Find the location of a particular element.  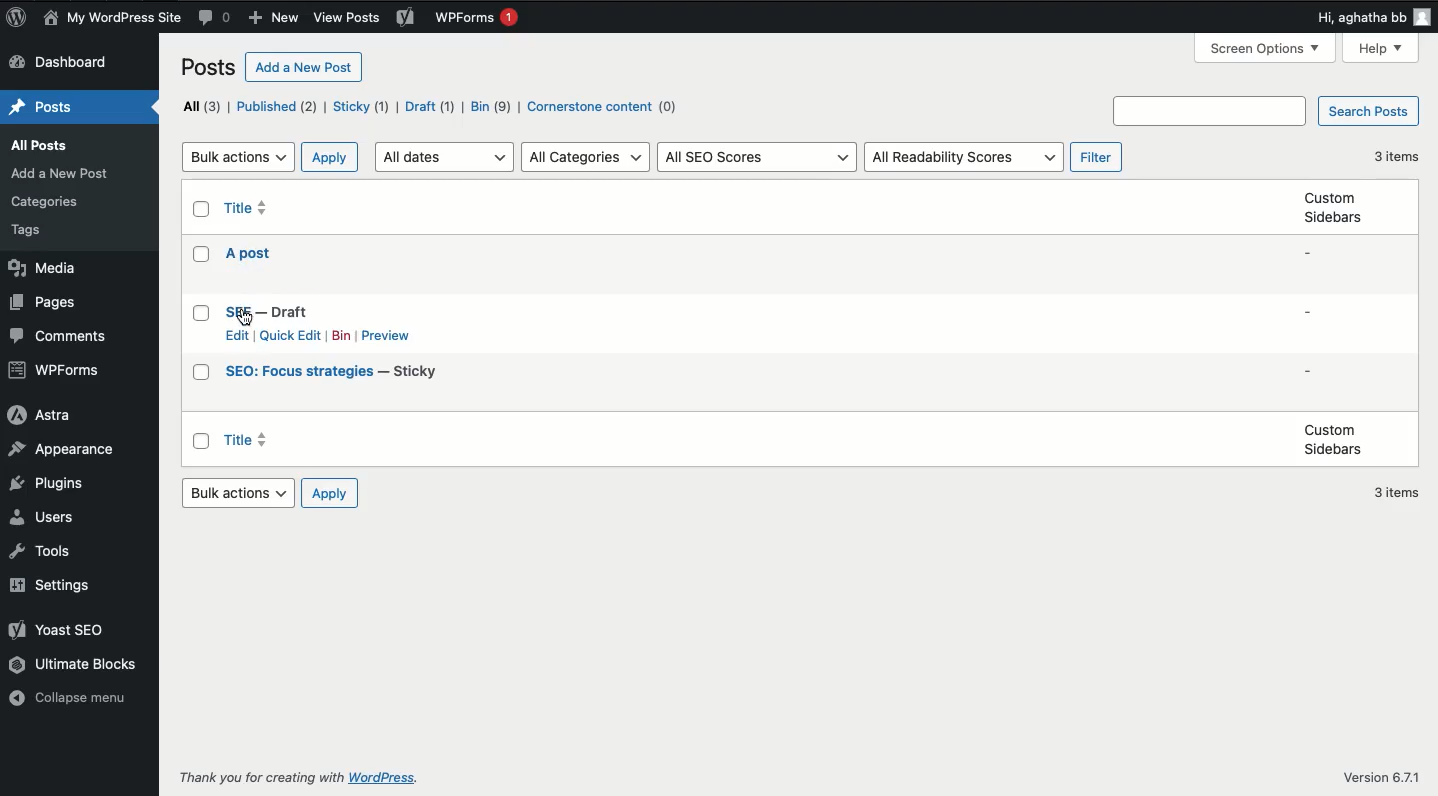

Quick edit is located at coordinates (288, 336).